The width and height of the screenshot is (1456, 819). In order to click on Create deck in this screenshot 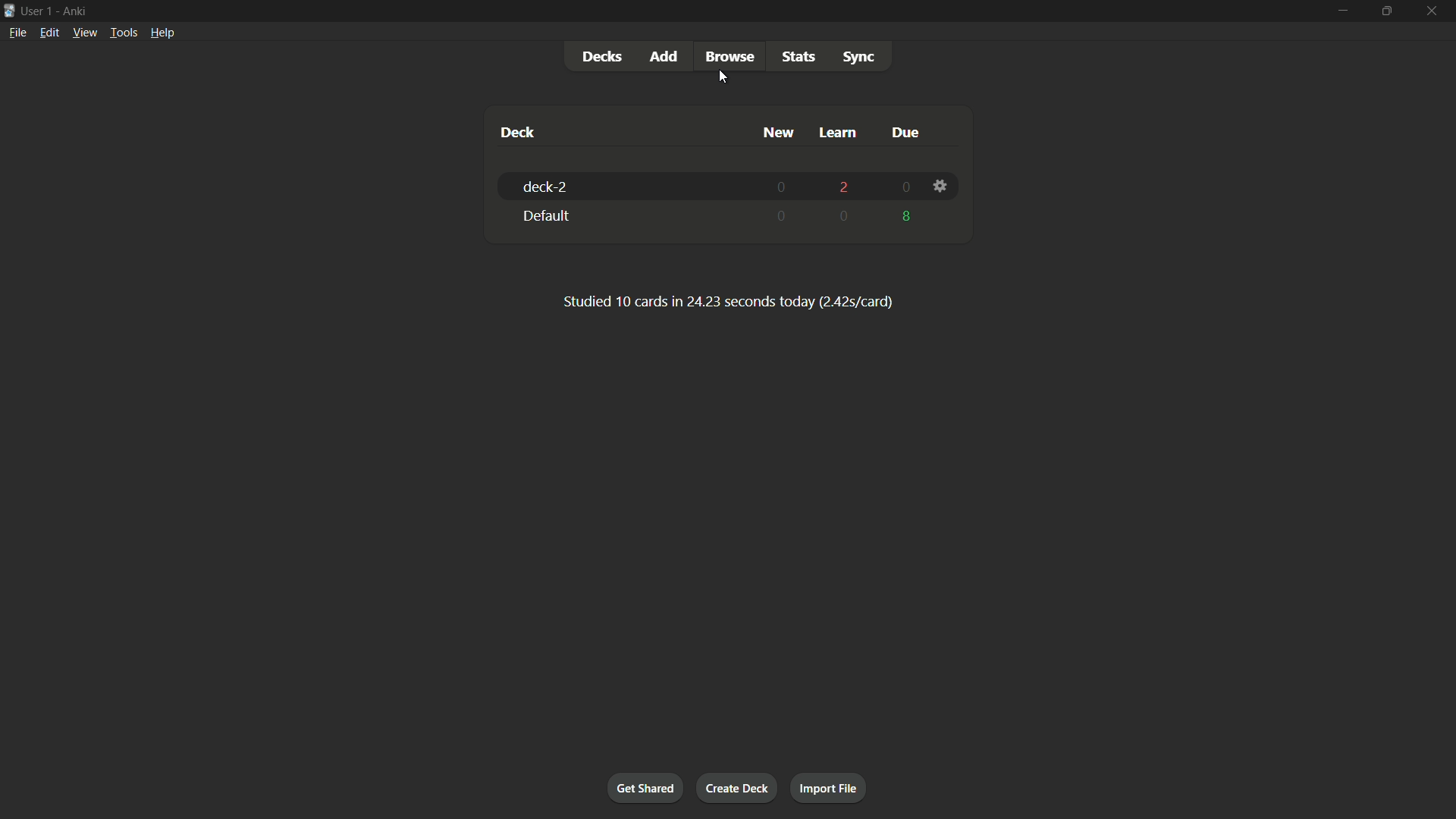, I will do `click(738, 787)`.